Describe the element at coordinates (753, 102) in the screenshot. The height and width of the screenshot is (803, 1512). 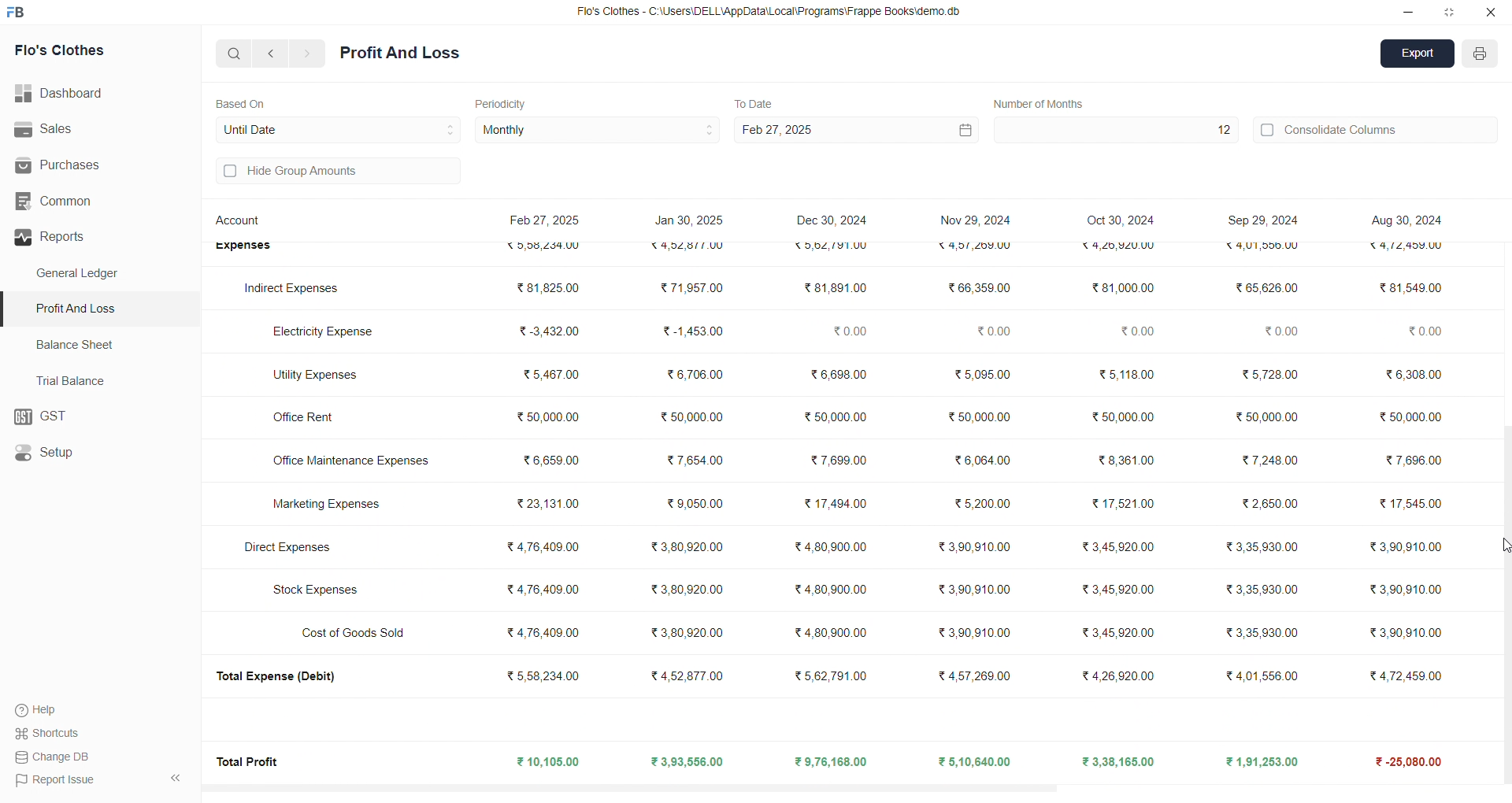
I see `To Date` at that location.